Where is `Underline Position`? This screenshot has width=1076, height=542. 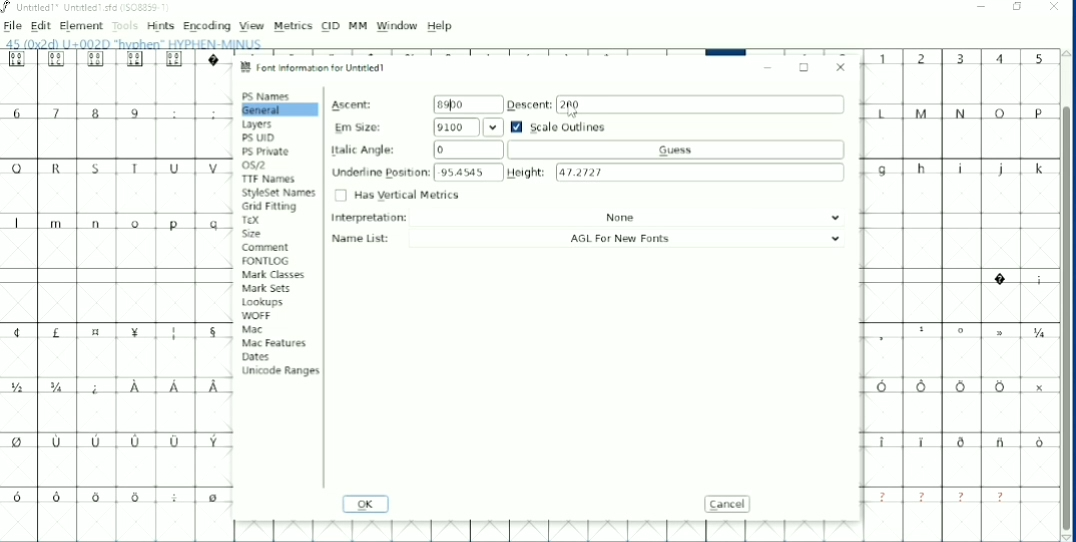
Underline Position is located at coordinates (416, 172).